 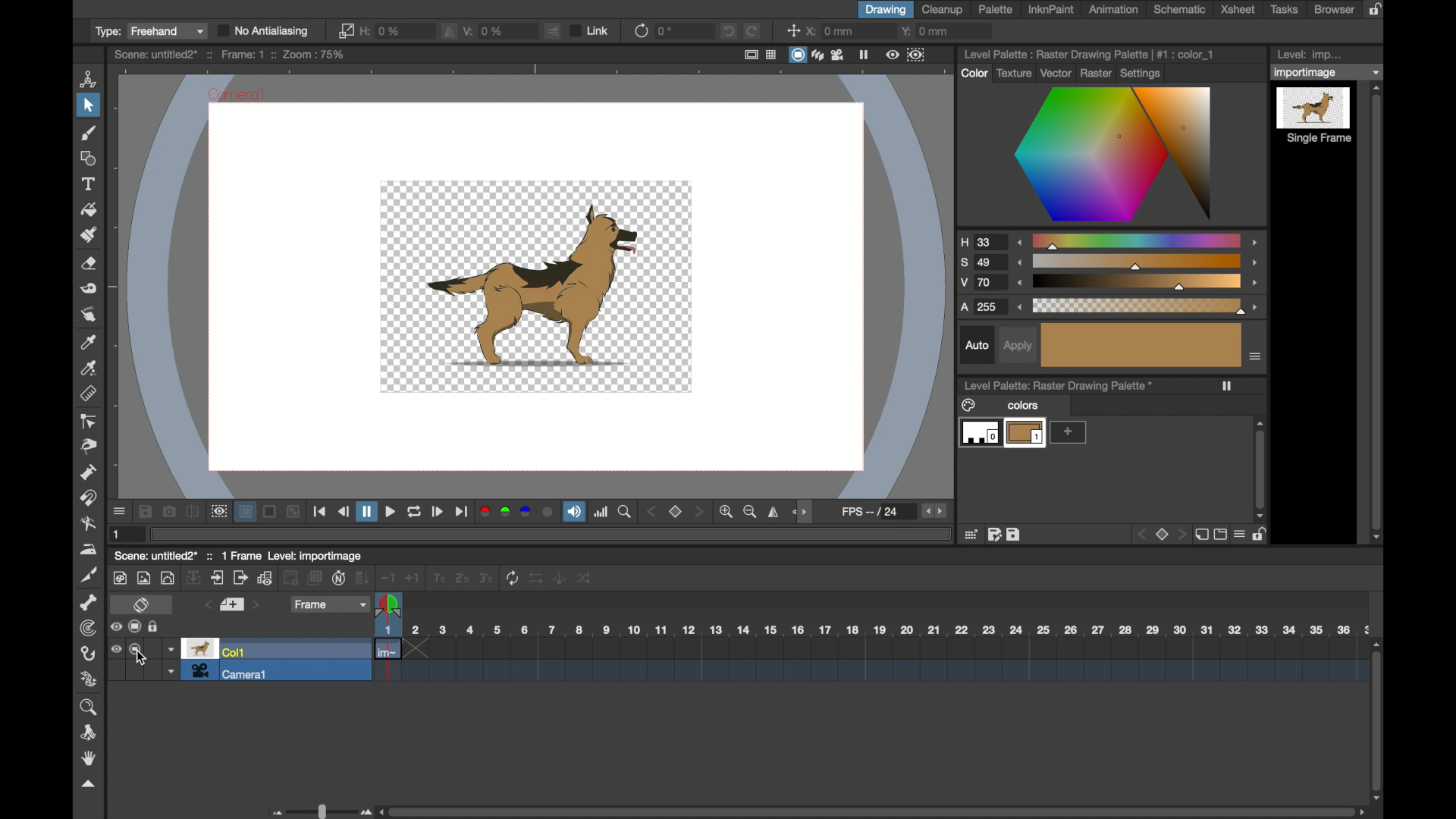 I want to click on level: imp..., so click(x=1310, y=55).